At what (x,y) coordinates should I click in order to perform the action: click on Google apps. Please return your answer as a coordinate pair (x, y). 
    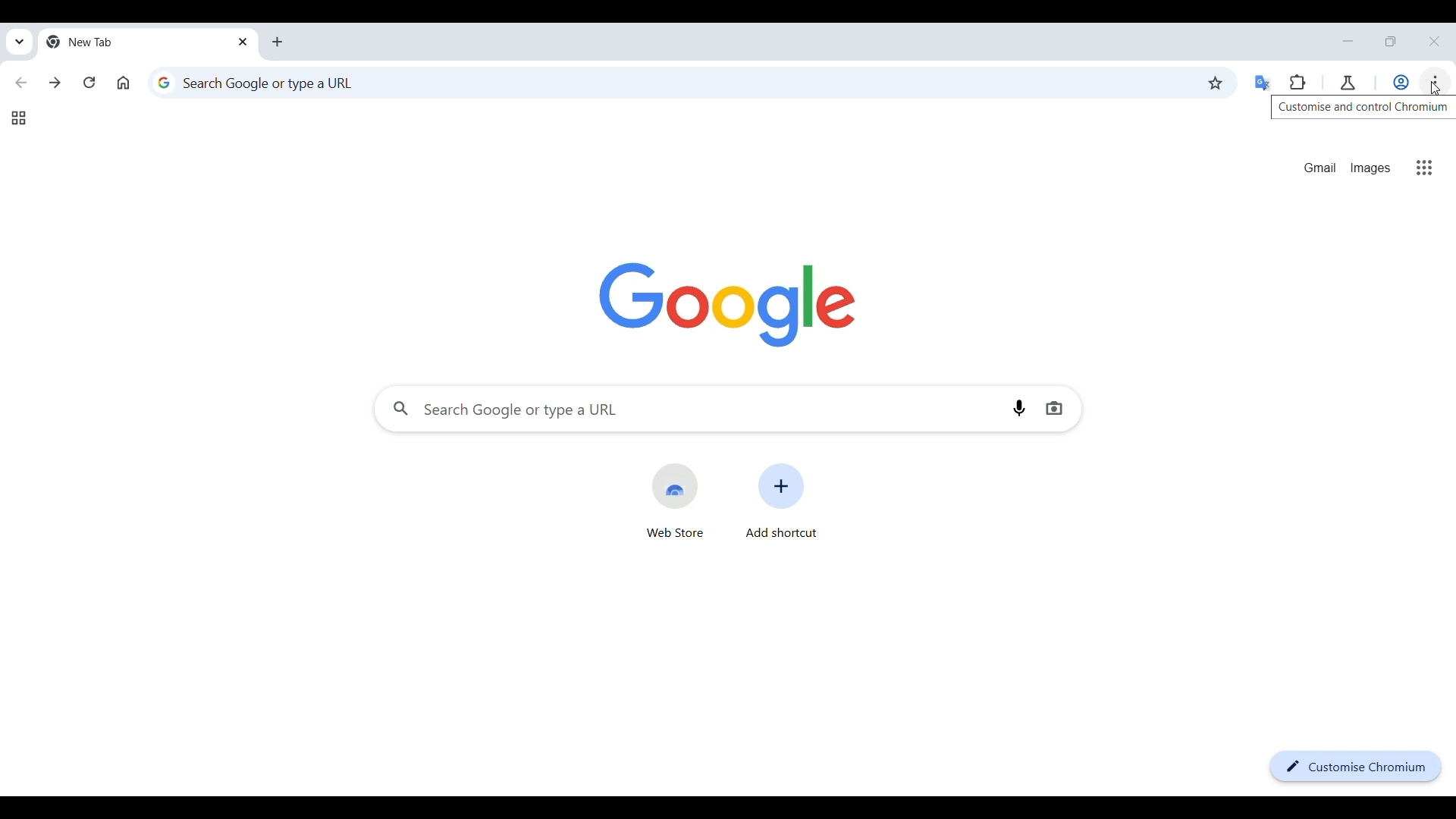
    Looking at the image, I should click on (1424, 168).